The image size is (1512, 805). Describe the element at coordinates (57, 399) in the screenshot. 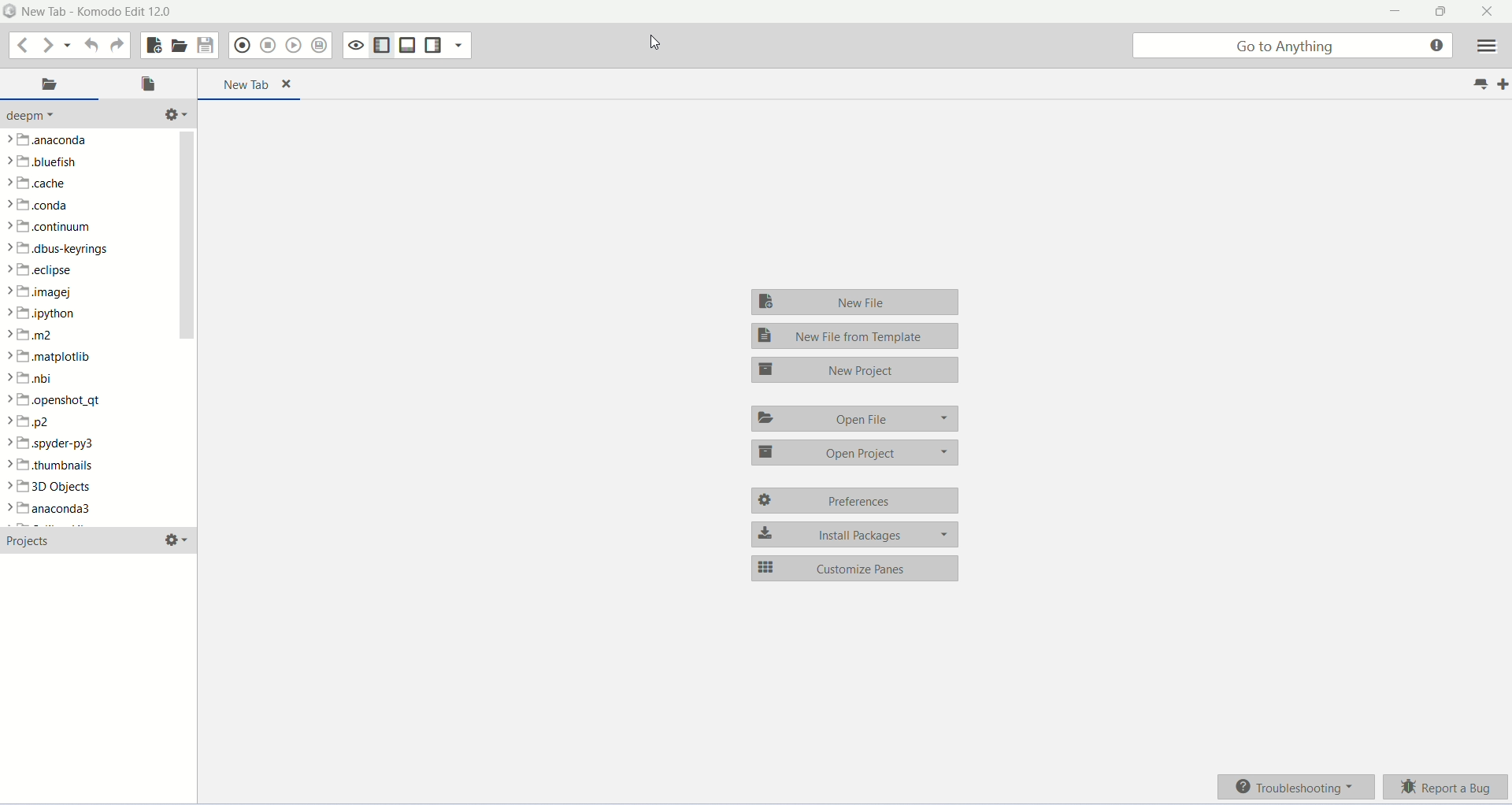

I see `openshot` at that location.